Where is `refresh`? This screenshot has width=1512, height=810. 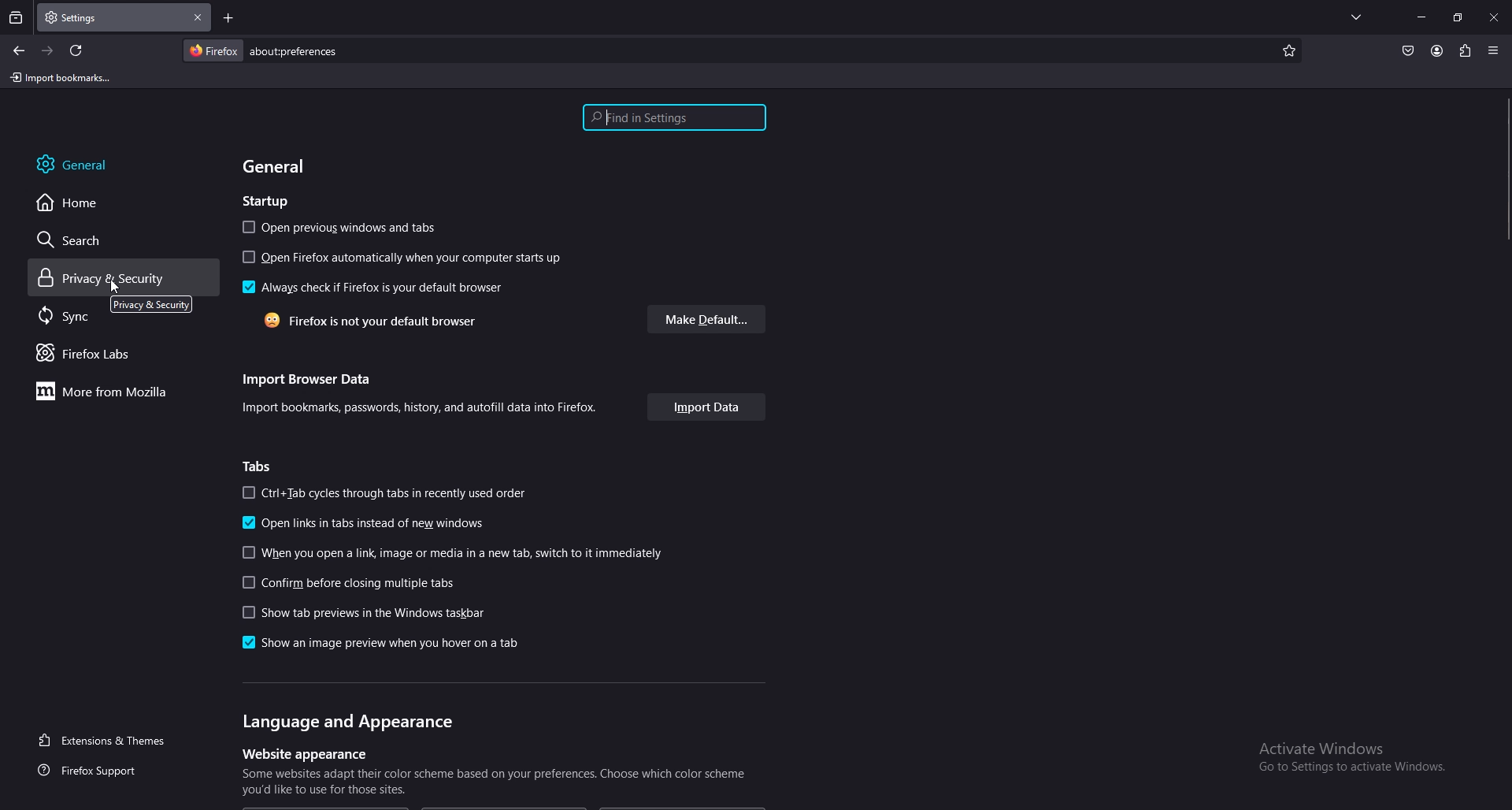
refresh is located at coordinates (77, 50).